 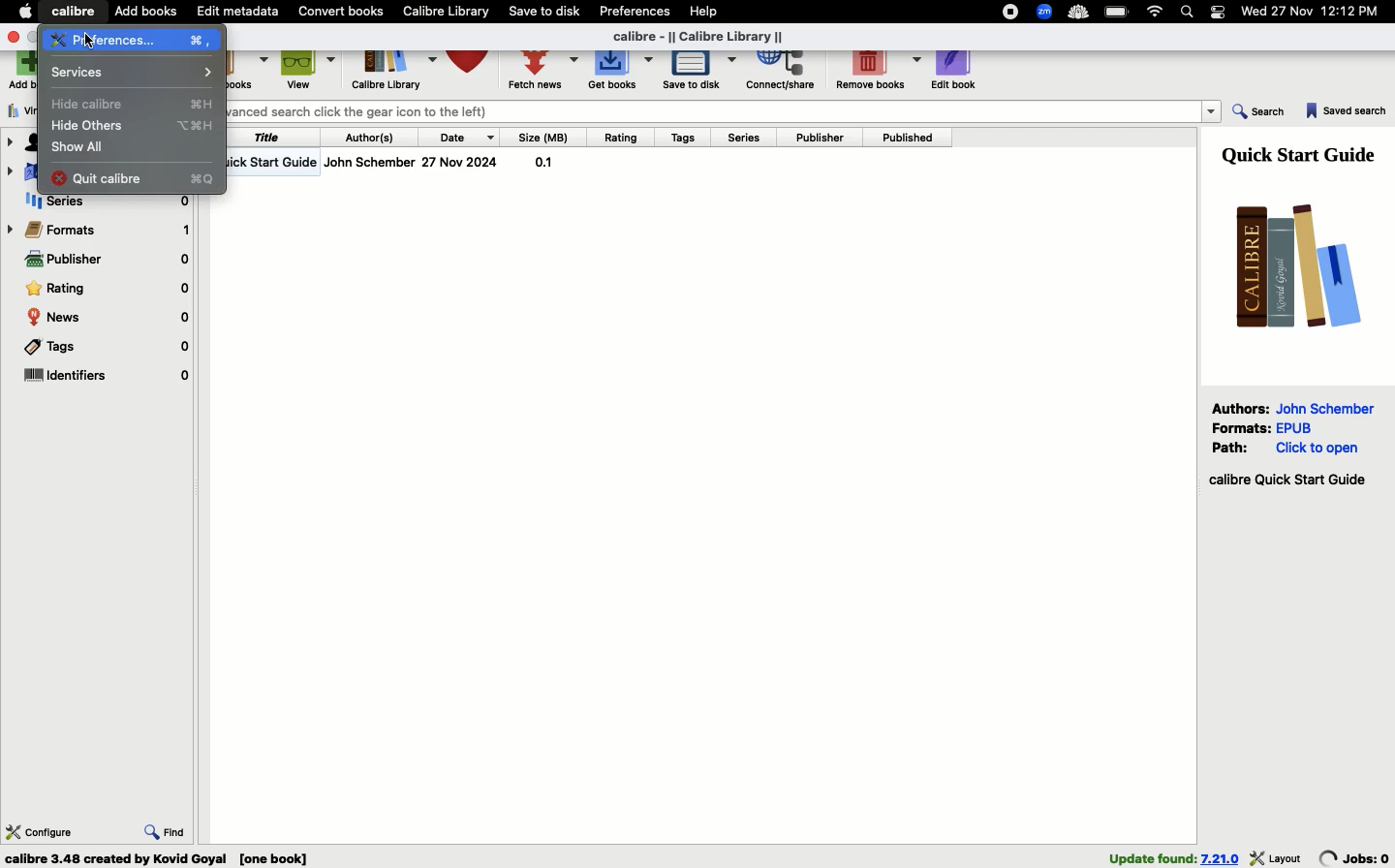 What do you see at coordinates (1221, 858) in the screenshot?
I see `version` at bounding box center [1221, 858].